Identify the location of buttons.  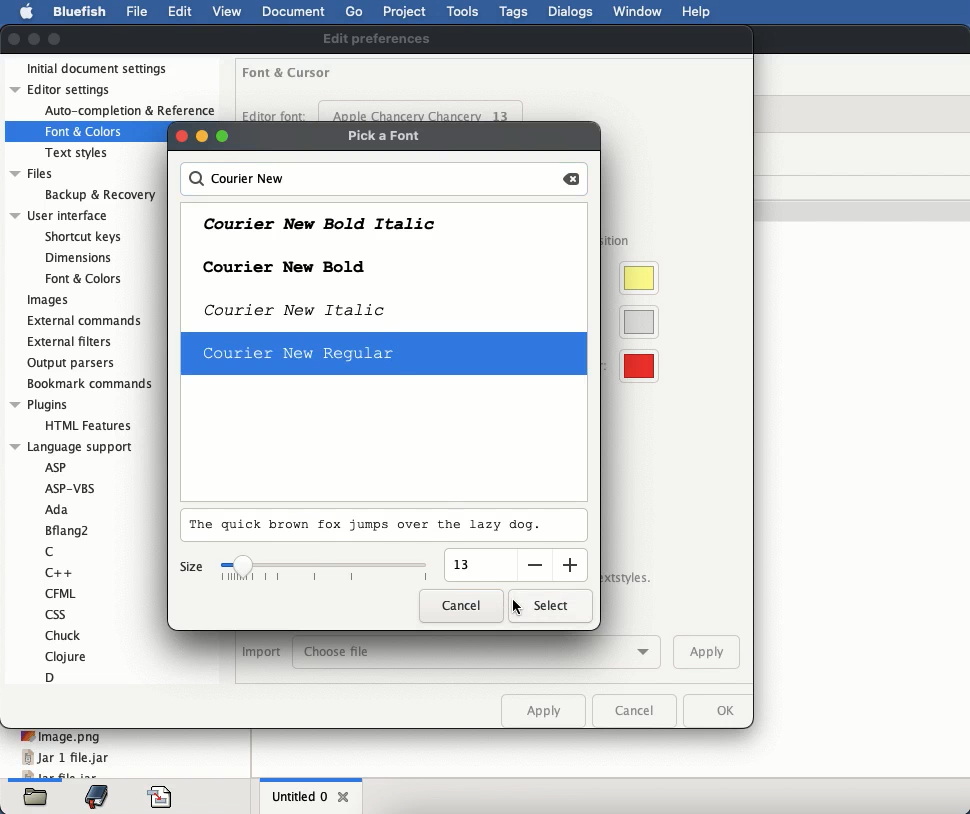
(199, 137).